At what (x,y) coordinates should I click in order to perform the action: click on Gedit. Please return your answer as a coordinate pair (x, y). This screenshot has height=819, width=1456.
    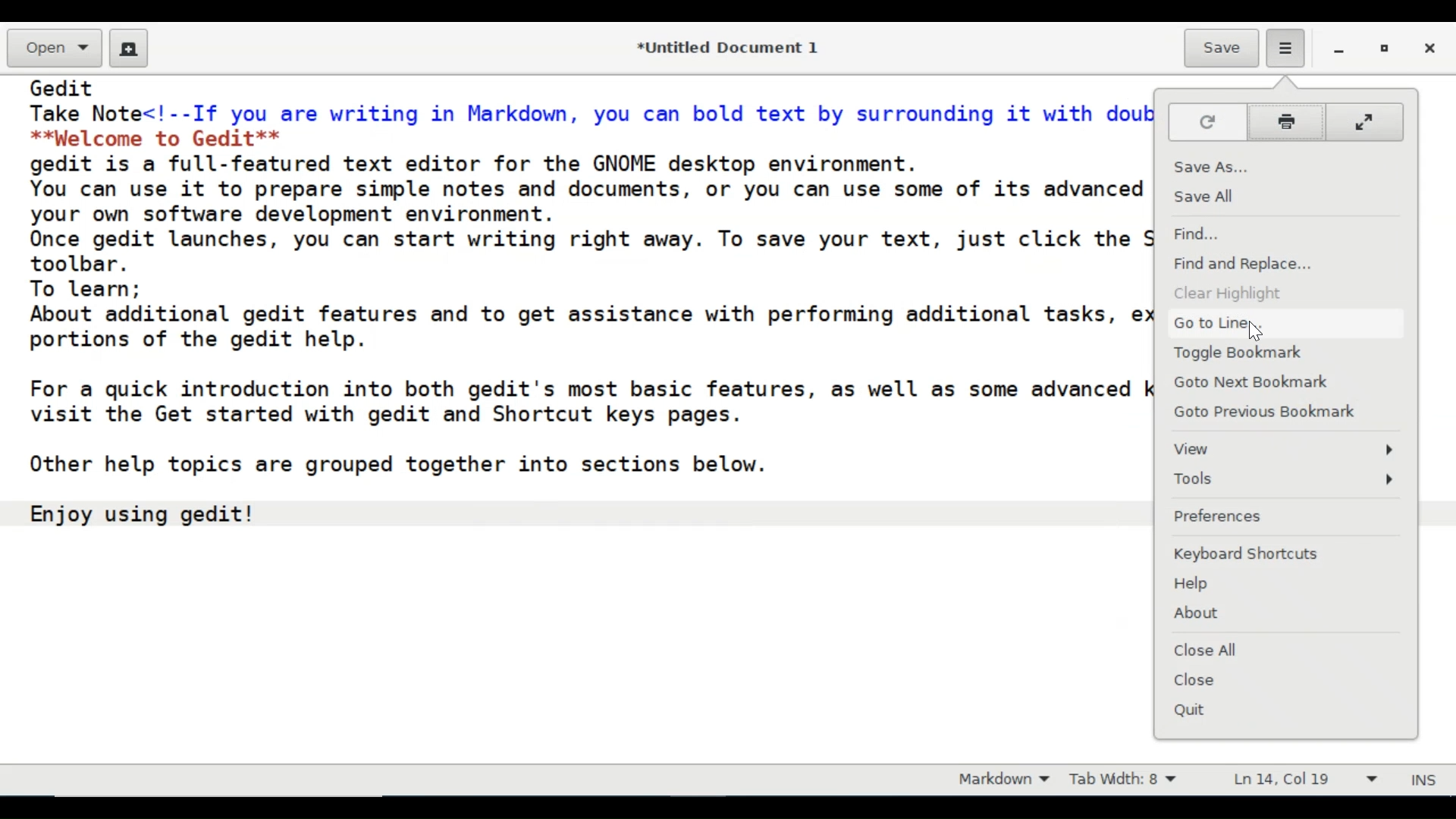
    Looking at the image, I should click on (64, 87).